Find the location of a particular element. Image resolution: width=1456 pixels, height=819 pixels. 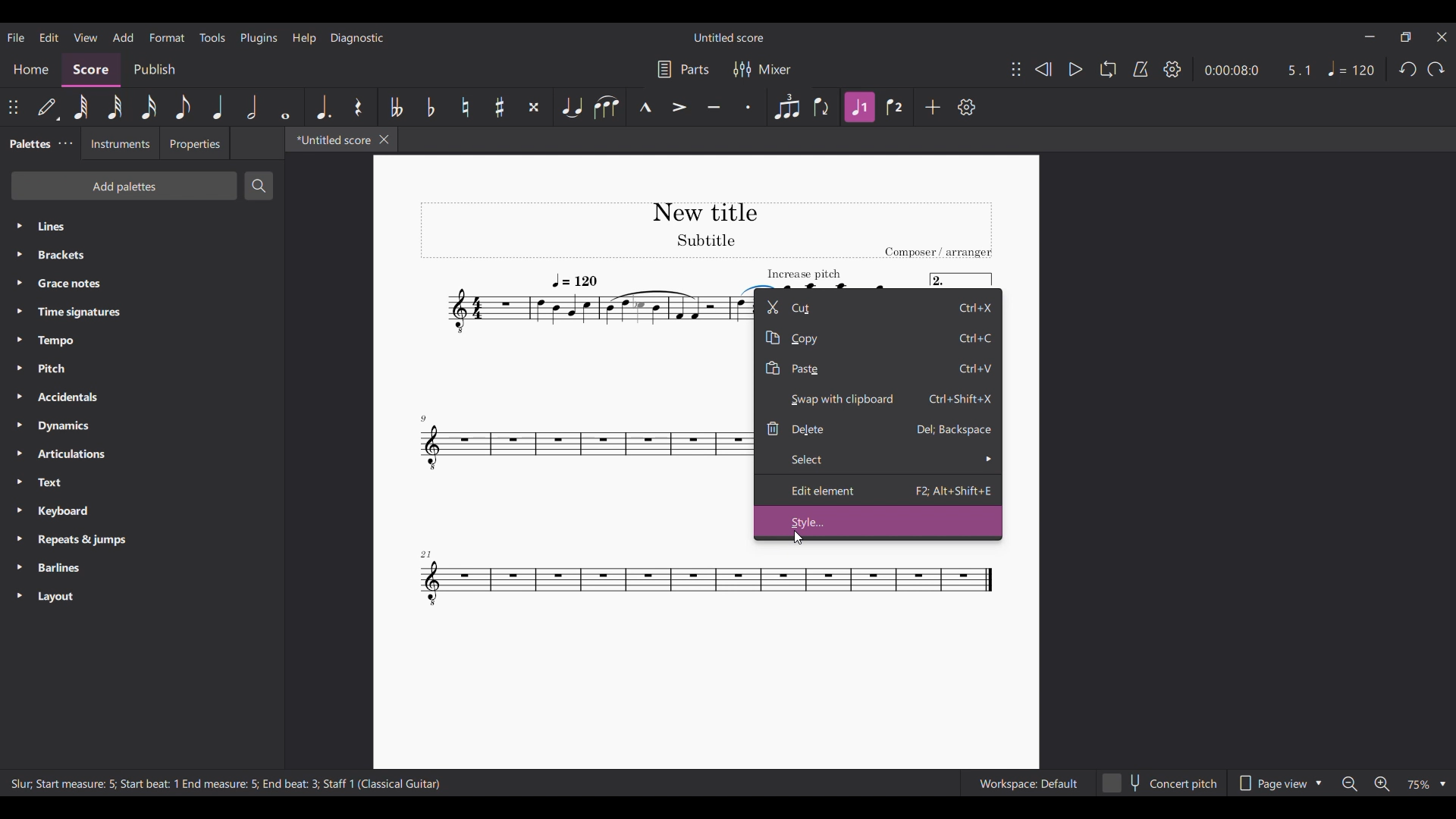

Staccato is located at coordinates (749, 106).